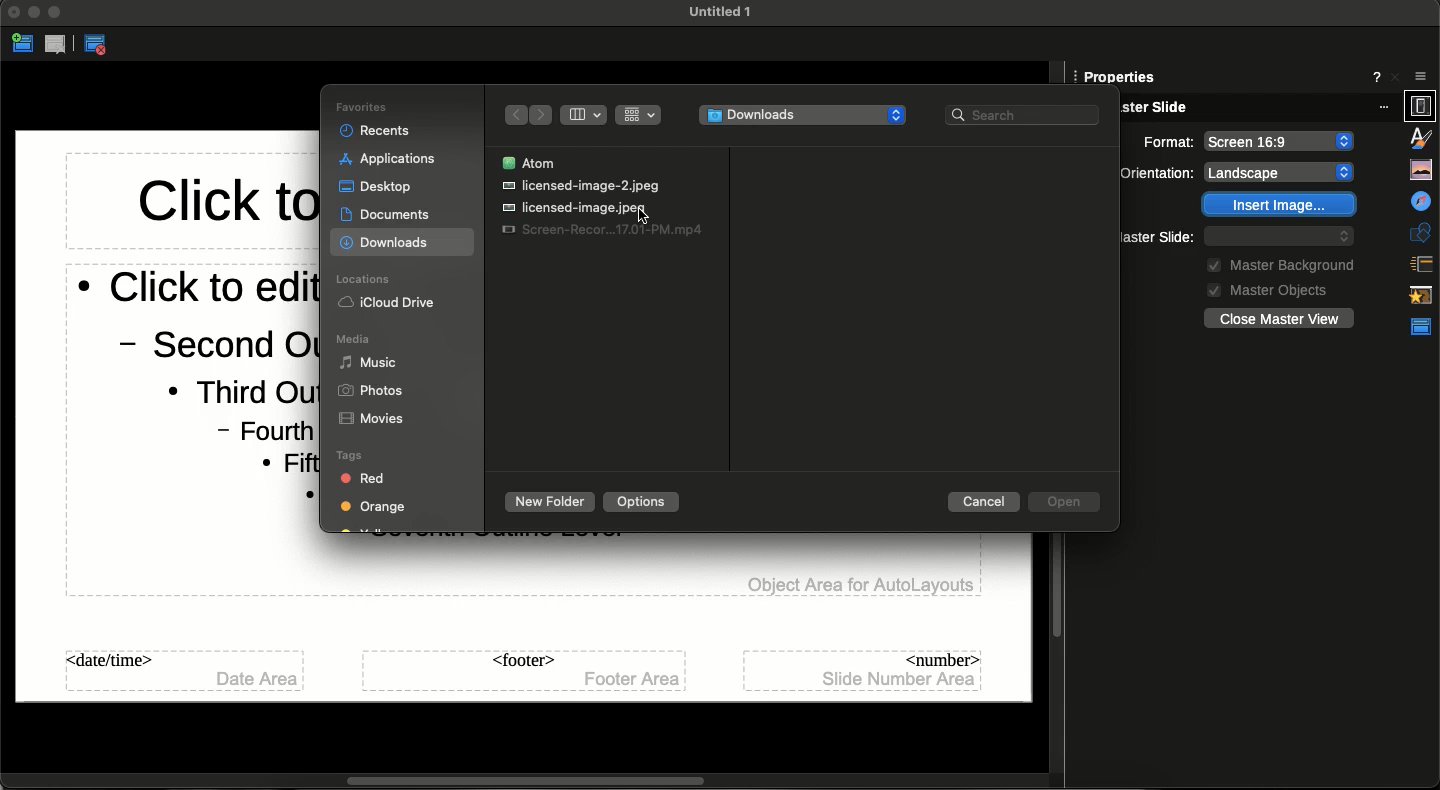  What do you see at coordinates (1419, 293) in the screenshot?
I see `Master slides` at bounding box center [1419, 293].